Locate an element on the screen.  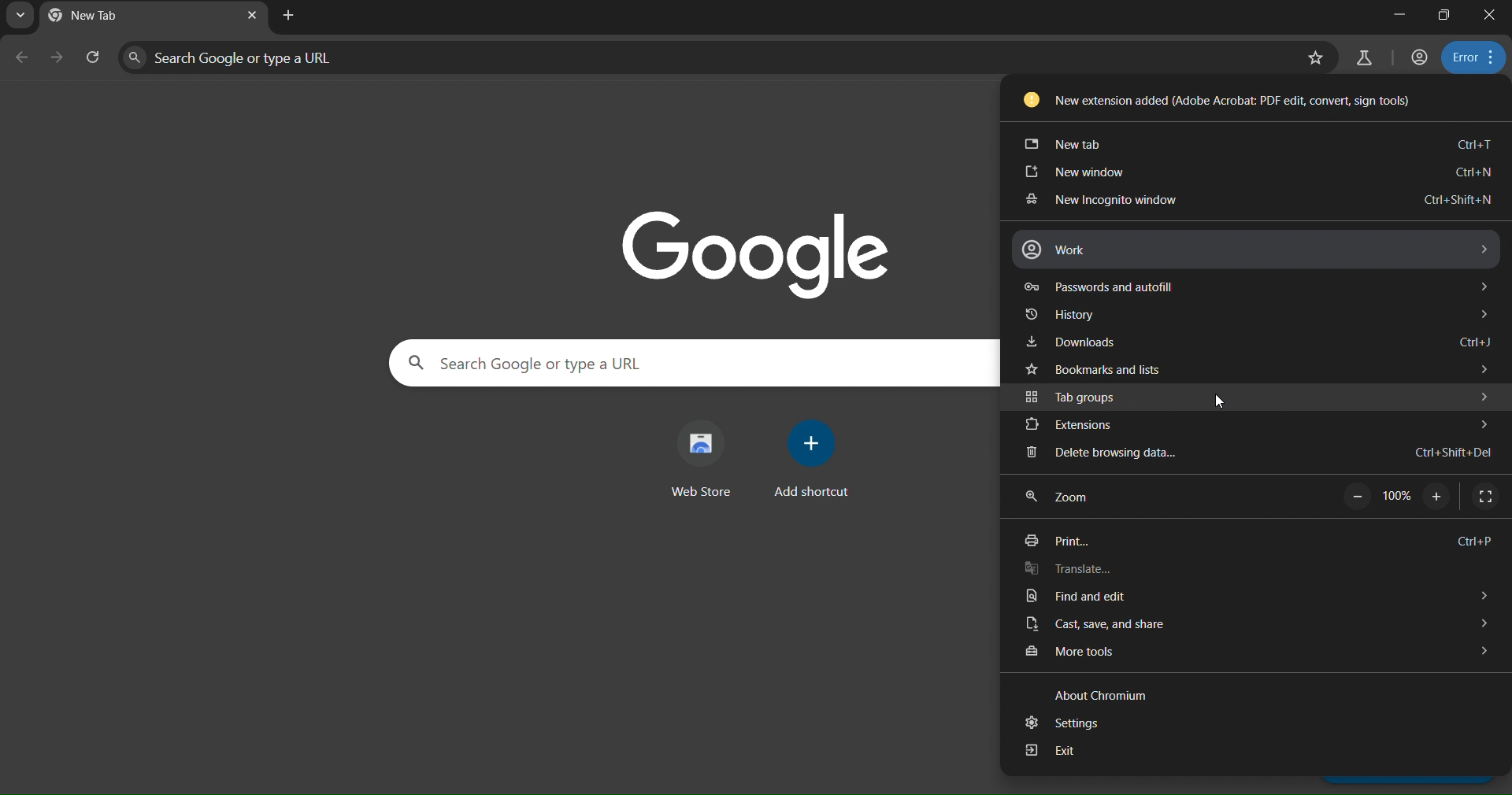
print is located at coordinates (1265, 542).